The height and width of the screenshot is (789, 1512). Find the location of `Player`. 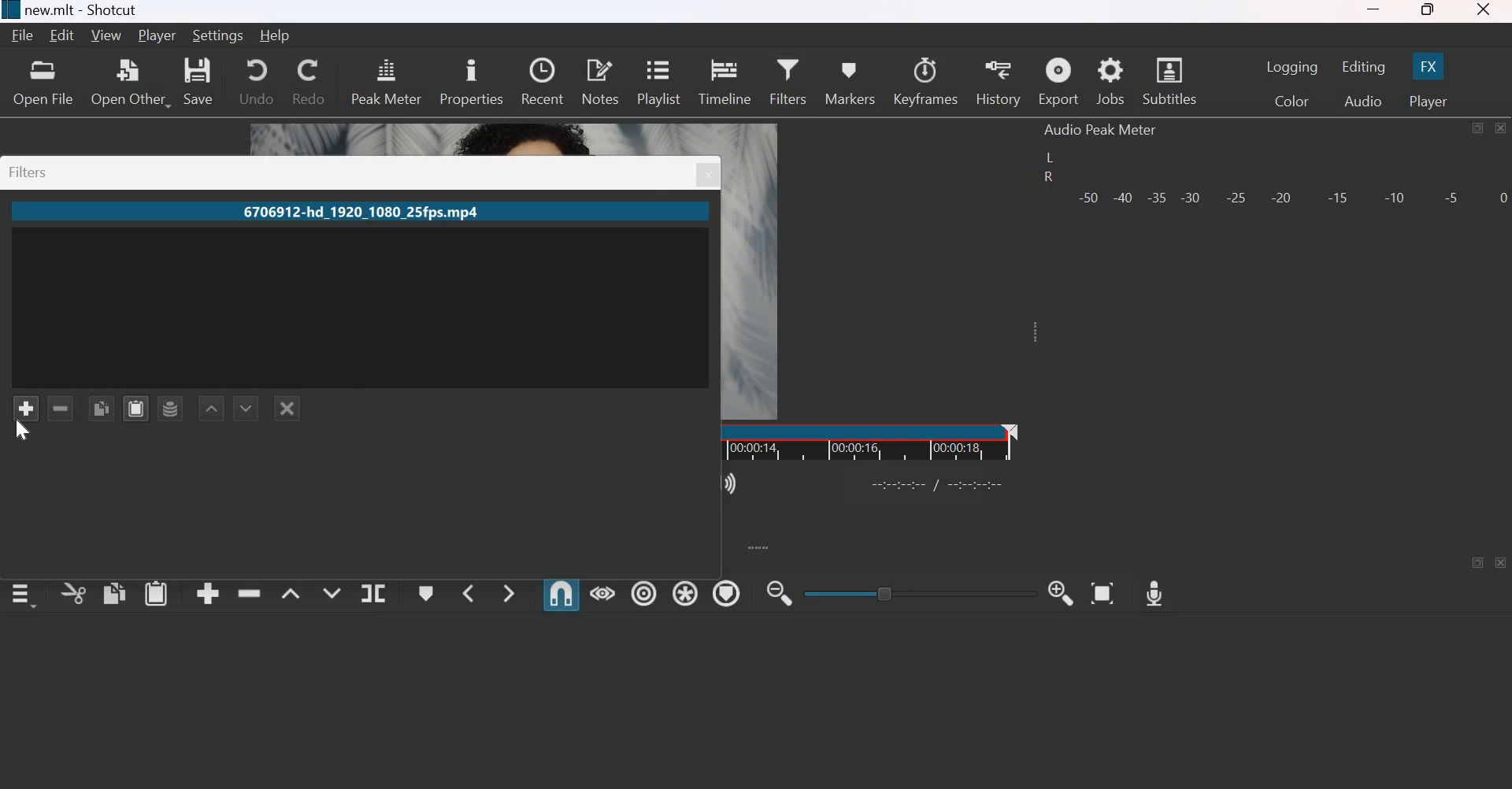

Player is located at coordinates (157, 36).